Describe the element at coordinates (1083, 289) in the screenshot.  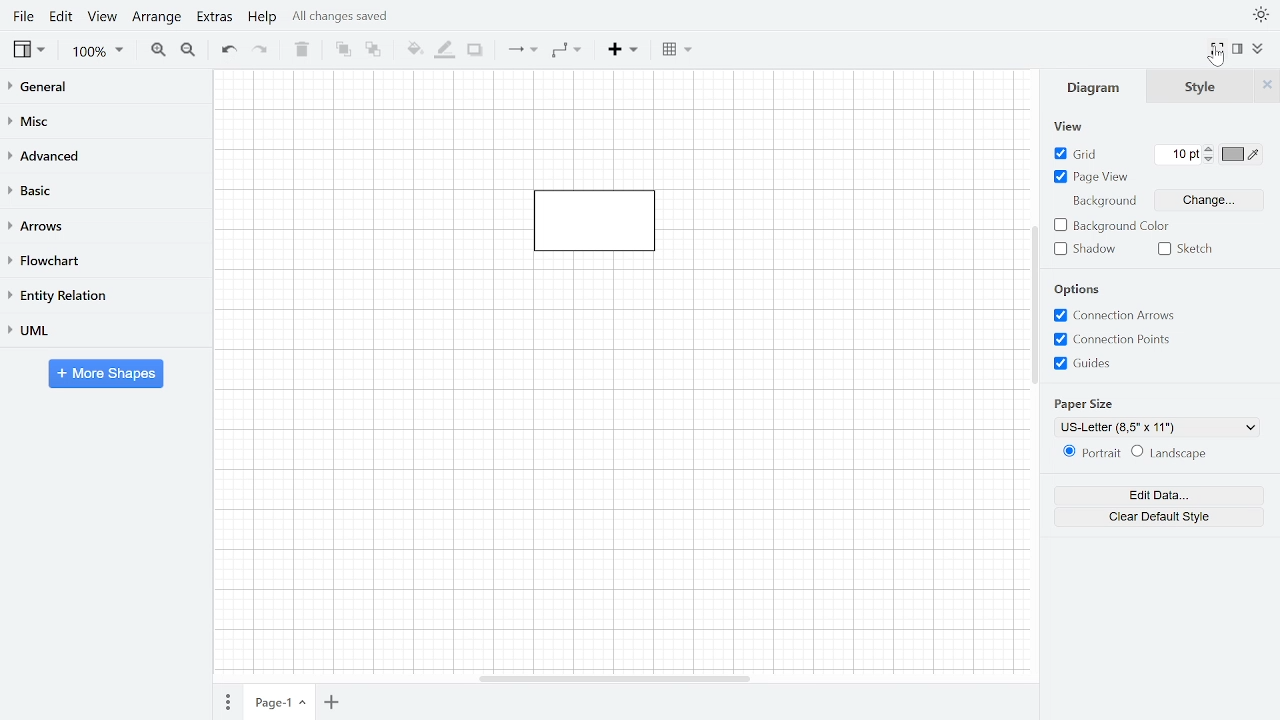
I see `Options` at that location.